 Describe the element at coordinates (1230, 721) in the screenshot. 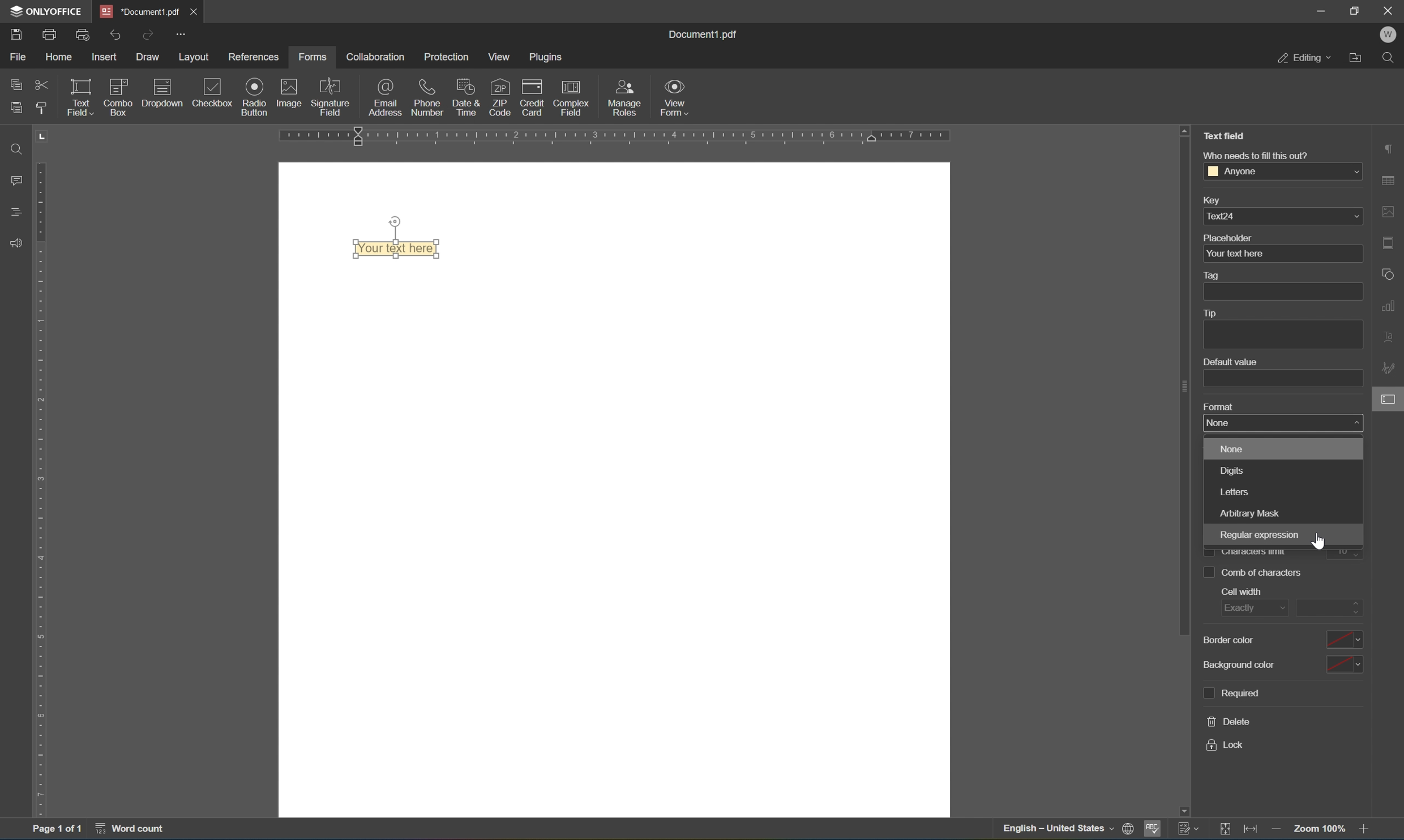

I see `delete` at that location.